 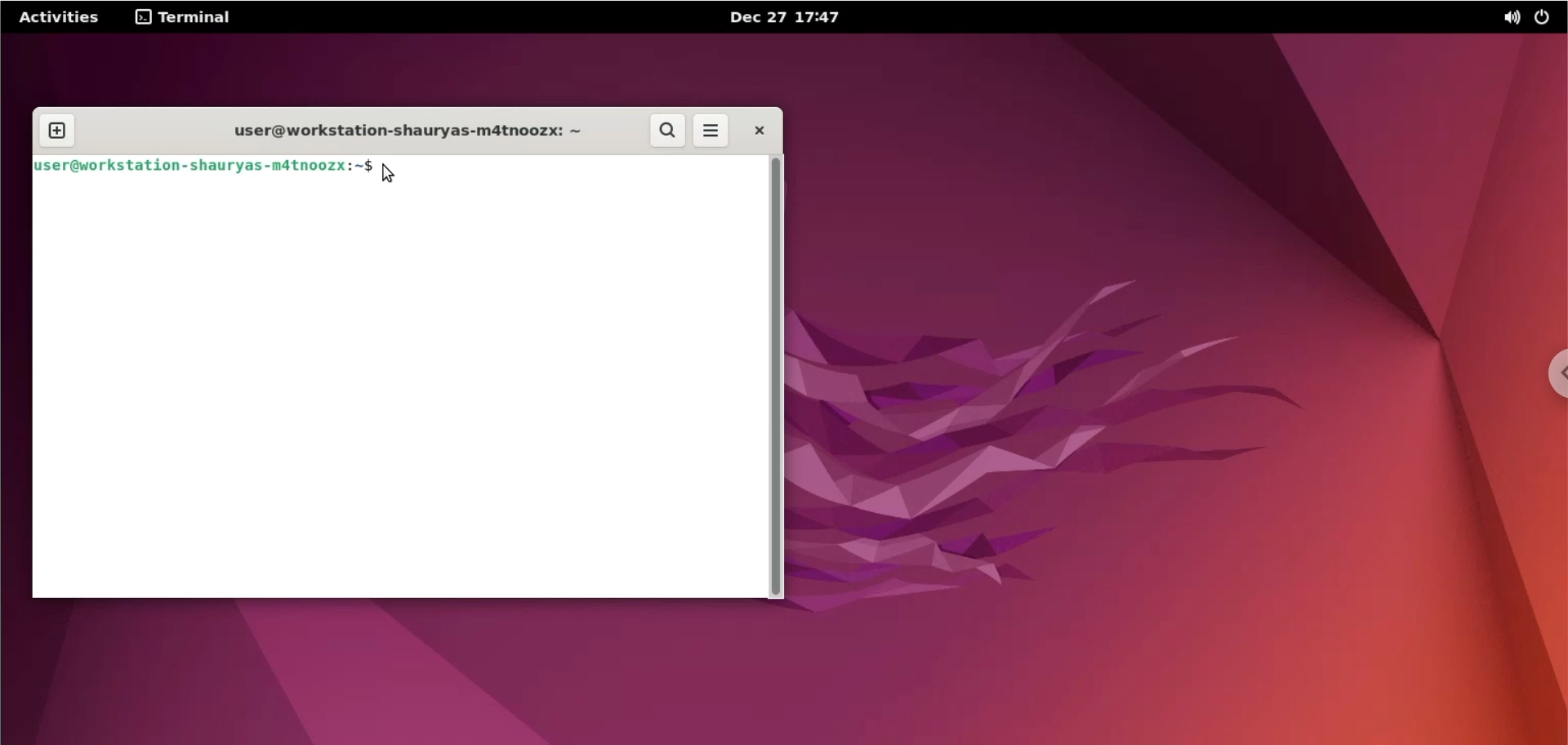 What do you see at coordinates (714, 131) in the screenshot?
I see `more options` at bounding box center [714, 131].